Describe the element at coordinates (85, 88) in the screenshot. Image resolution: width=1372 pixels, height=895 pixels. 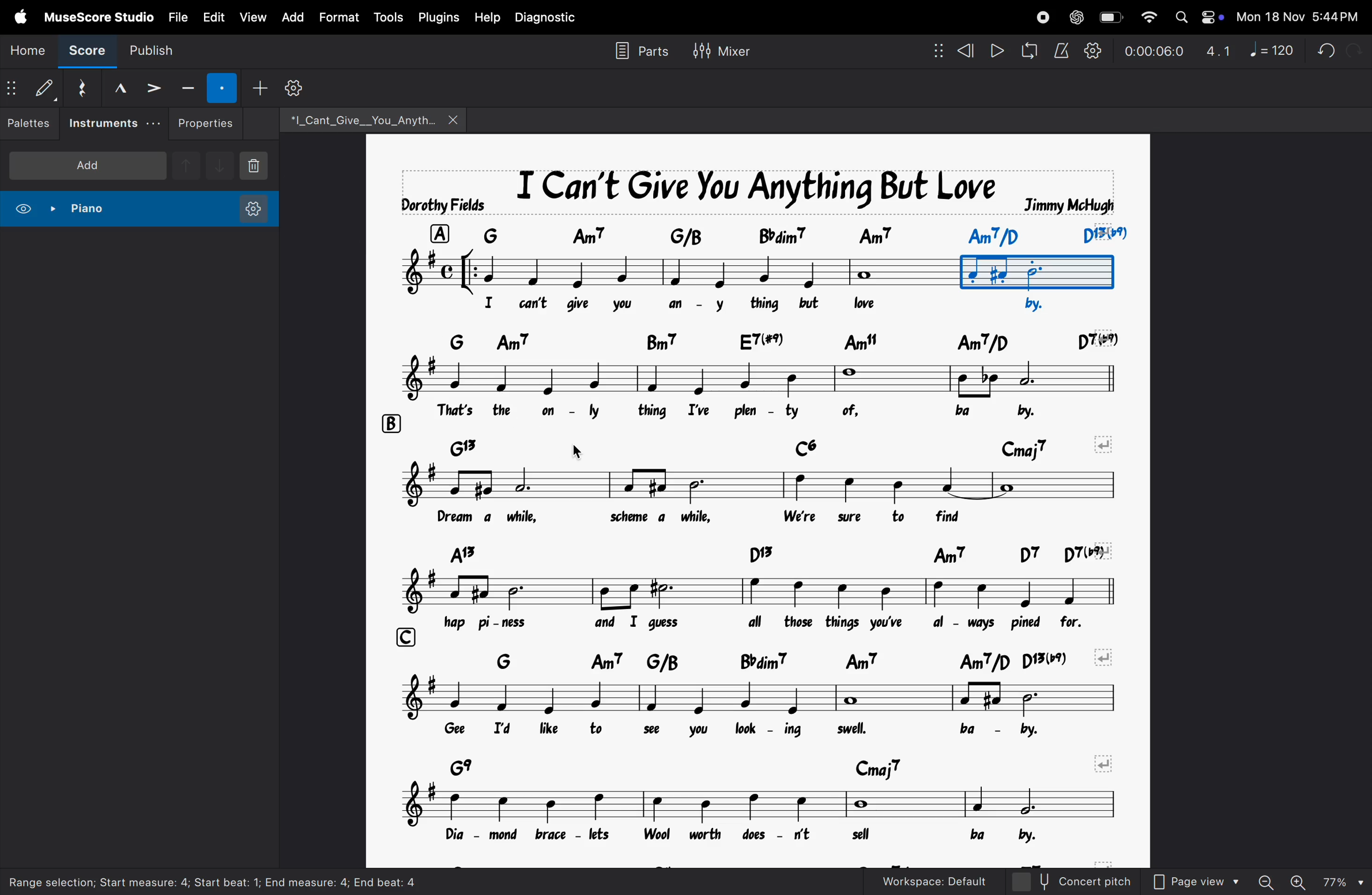
I see `reset` at that location.